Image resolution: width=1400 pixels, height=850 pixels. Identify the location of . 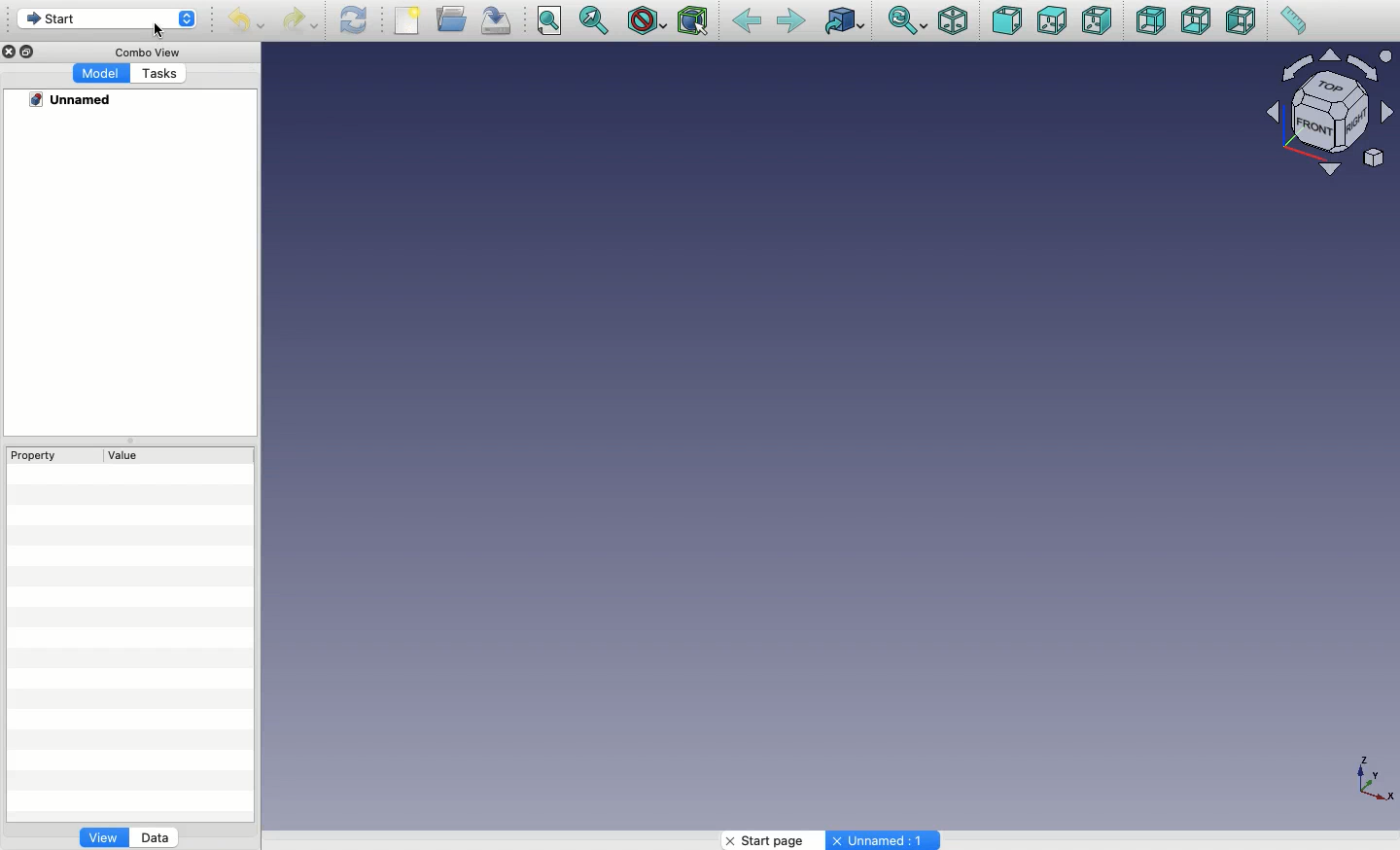
(760, 436).